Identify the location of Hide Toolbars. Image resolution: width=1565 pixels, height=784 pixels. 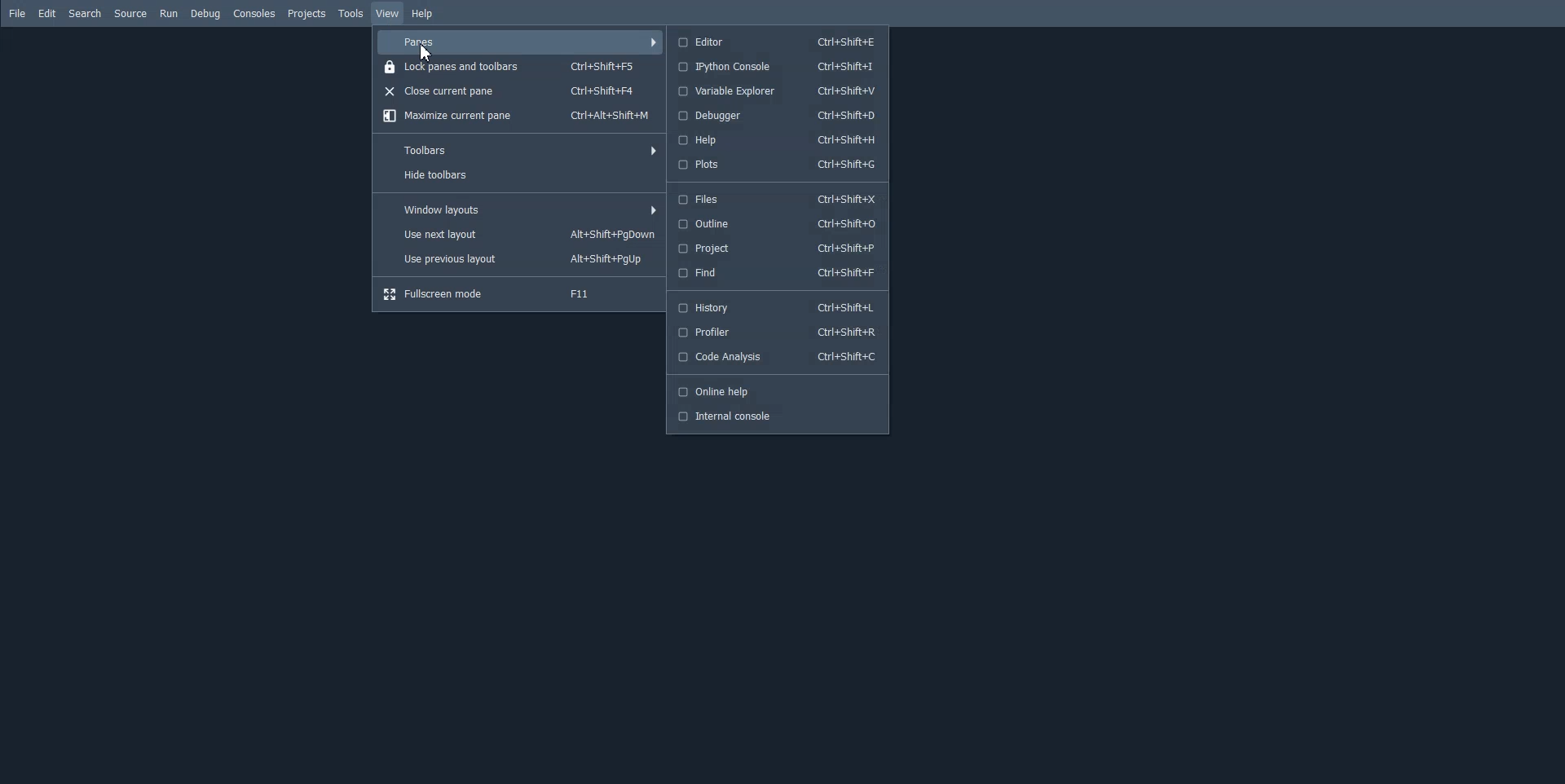
(518, 177).